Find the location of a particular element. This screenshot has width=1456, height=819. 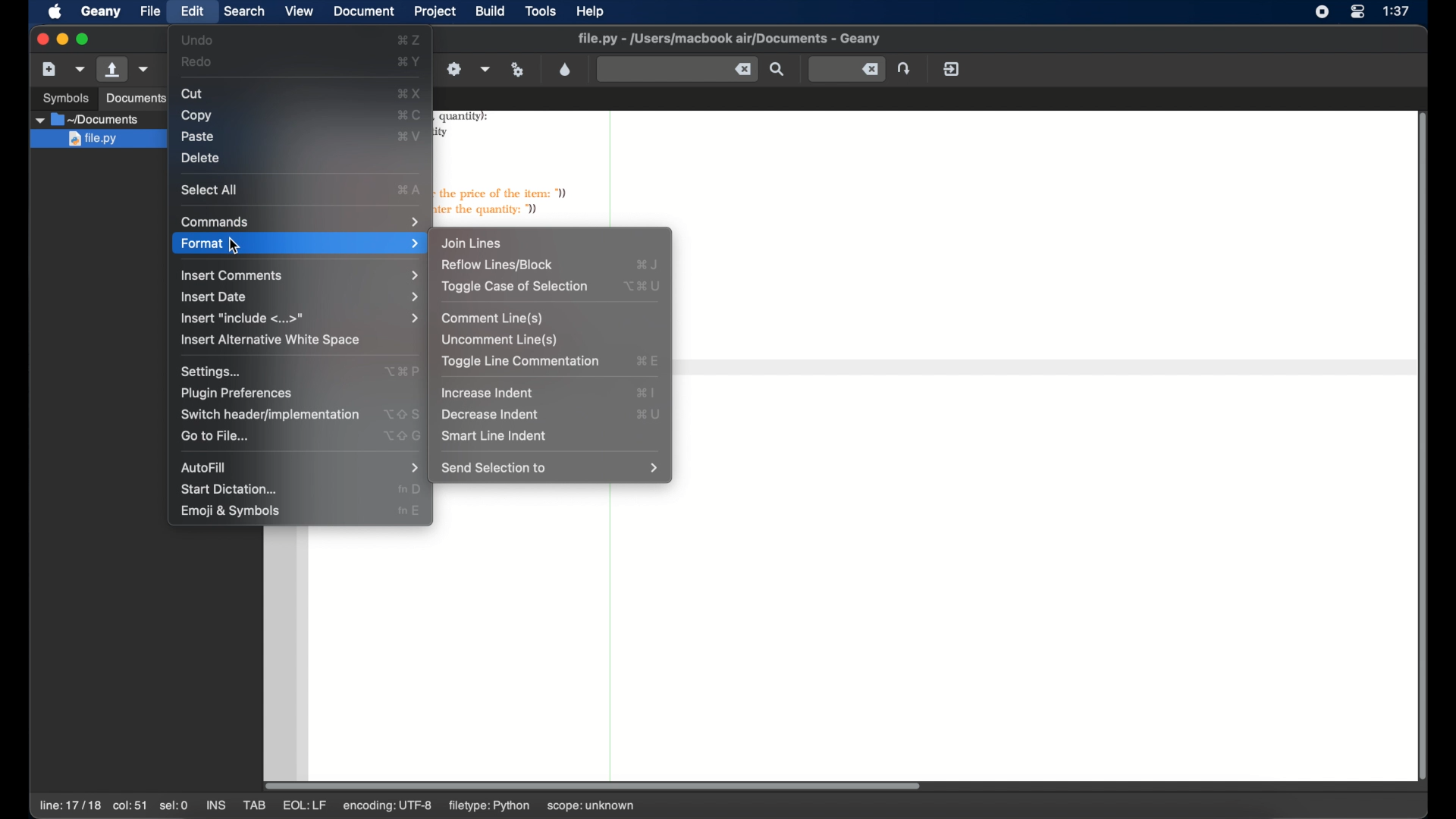

cut is located at coordinates (193, 94).